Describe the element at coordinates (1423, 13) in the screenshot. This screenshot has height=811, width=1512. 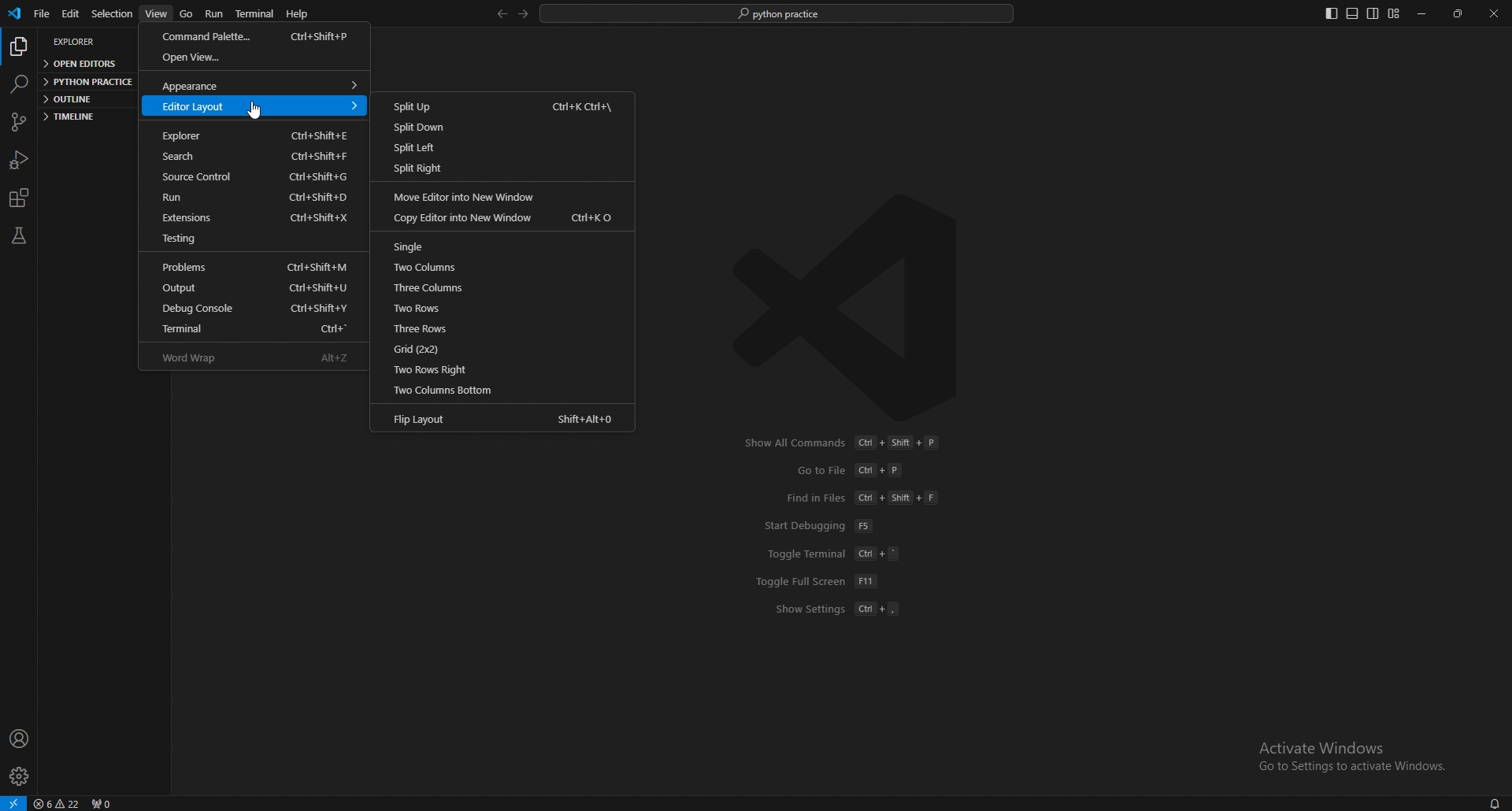
I see `minimize` at that location.